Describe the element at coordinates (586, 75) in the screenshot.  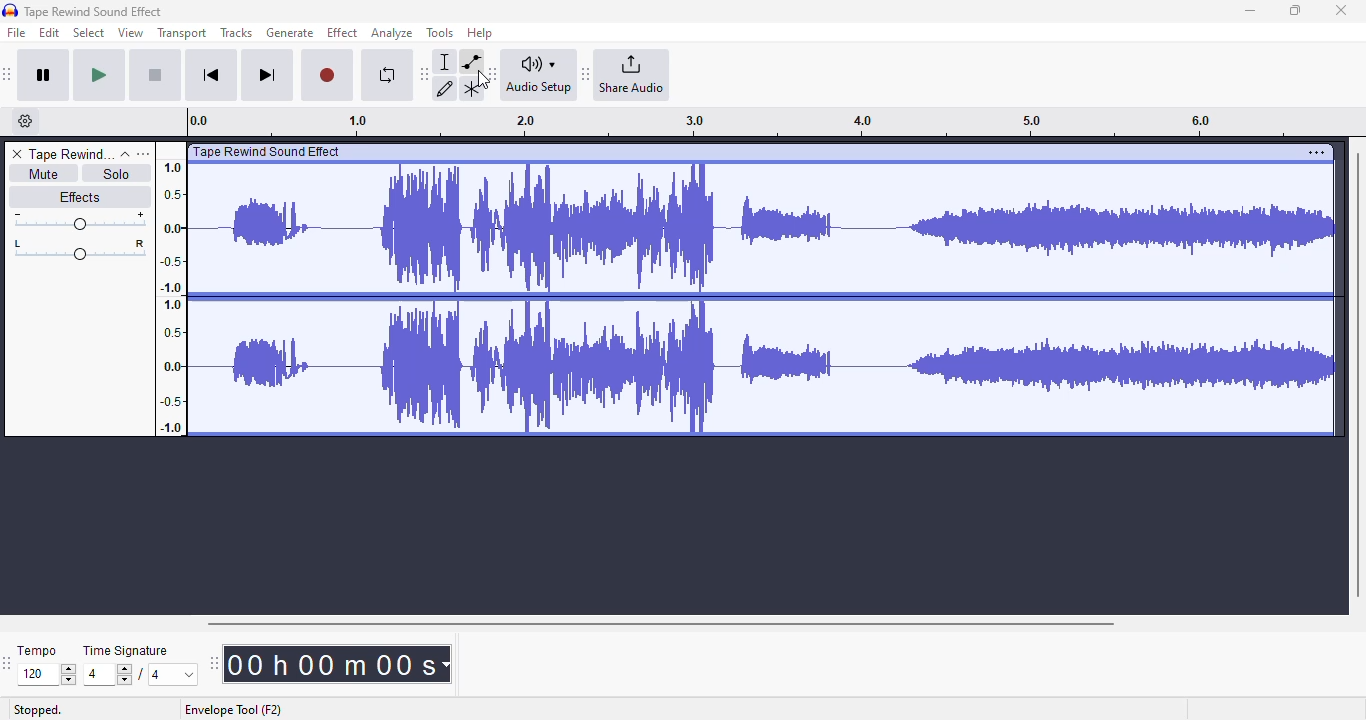
I see `Move audacity share audio toolbar` at that location.